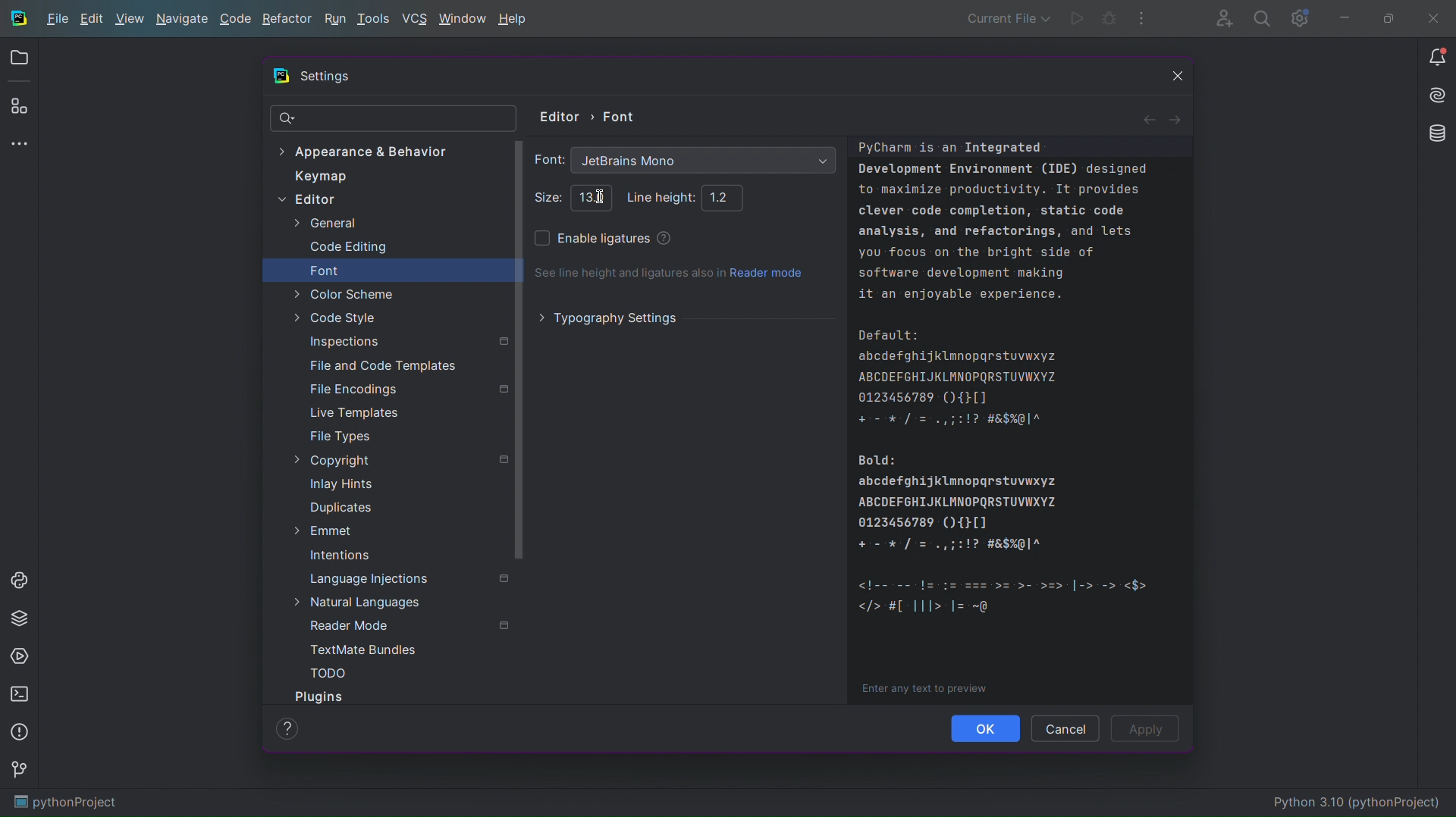 The image size is (1456, 817). Describe the element at coordinates (20, 108) in the screenshot. I see `Plugins` at that location.